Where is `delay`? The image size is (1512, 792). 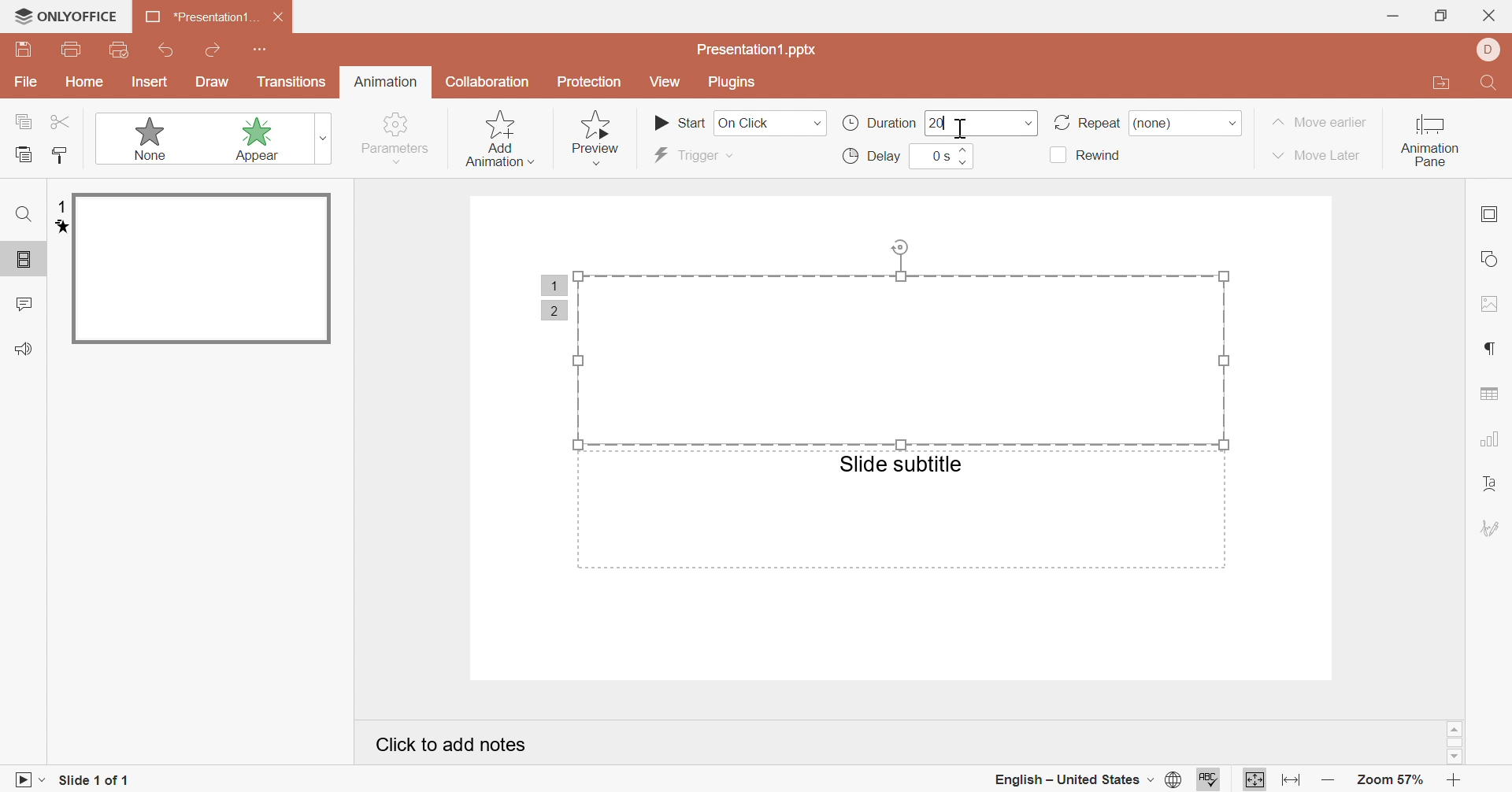
delay is located at coordinates (873, 156).